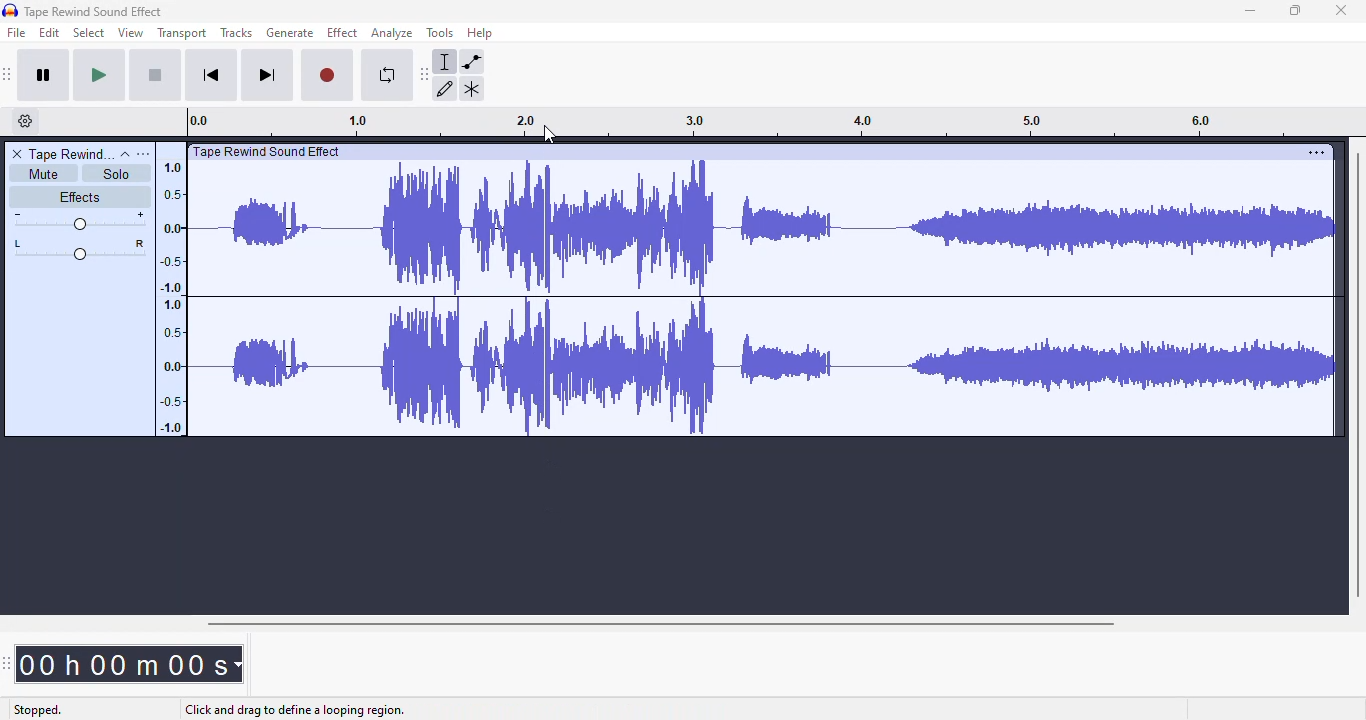 The height and width of the screenshot is (720, 1366). Describe the element at coordinates (118, 174) in the screenshot. I see `solo` at that location.